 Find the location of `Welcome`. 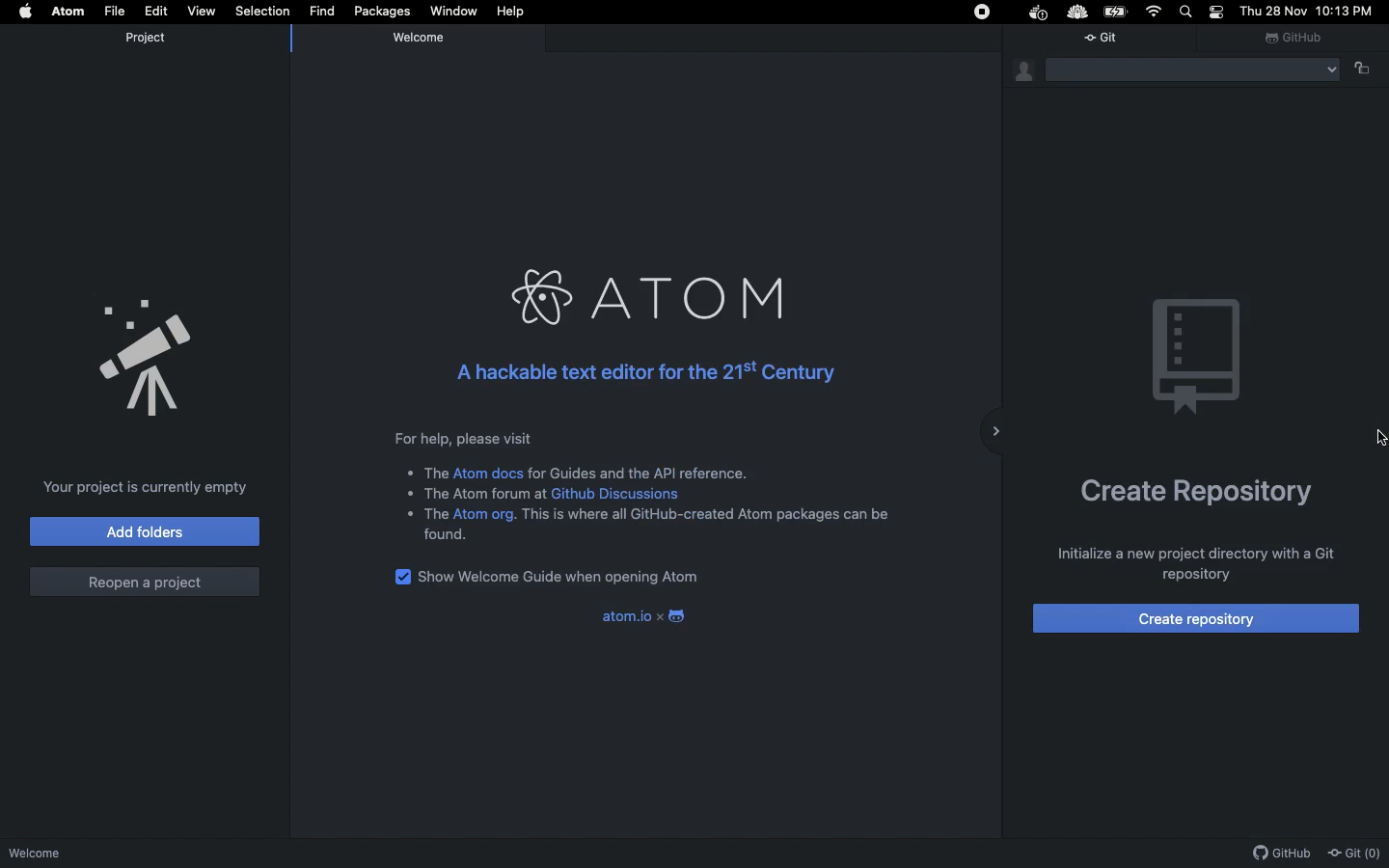

Welcome is located at coordinates (91, 853).